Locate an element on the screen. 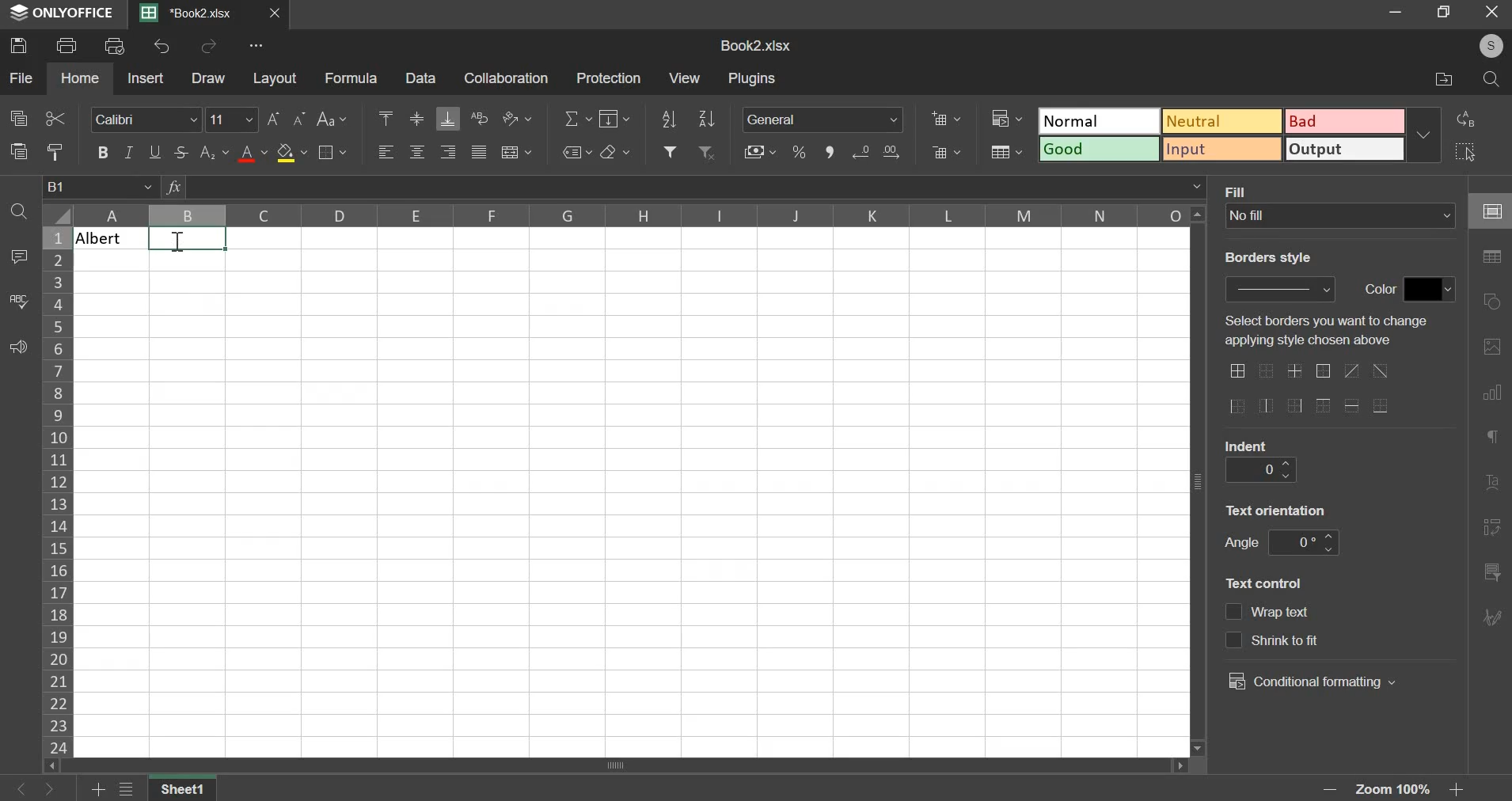 The height and width of the screenshot is (801, 1512). sum is located at coordinates (578, 120).